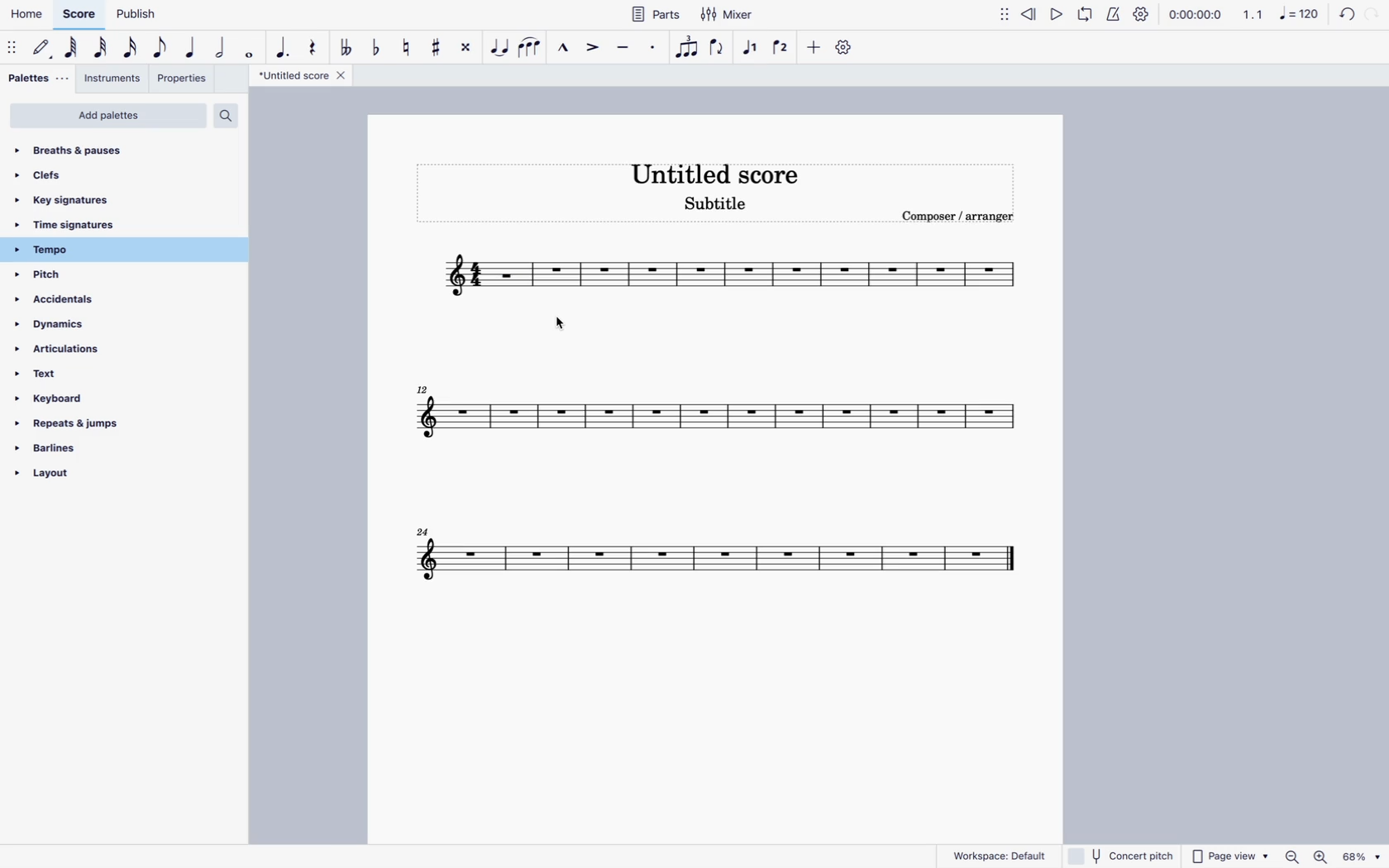 The height and width of the screenshot is (868, 1389). I want to click on palettes, so click(38, 79).